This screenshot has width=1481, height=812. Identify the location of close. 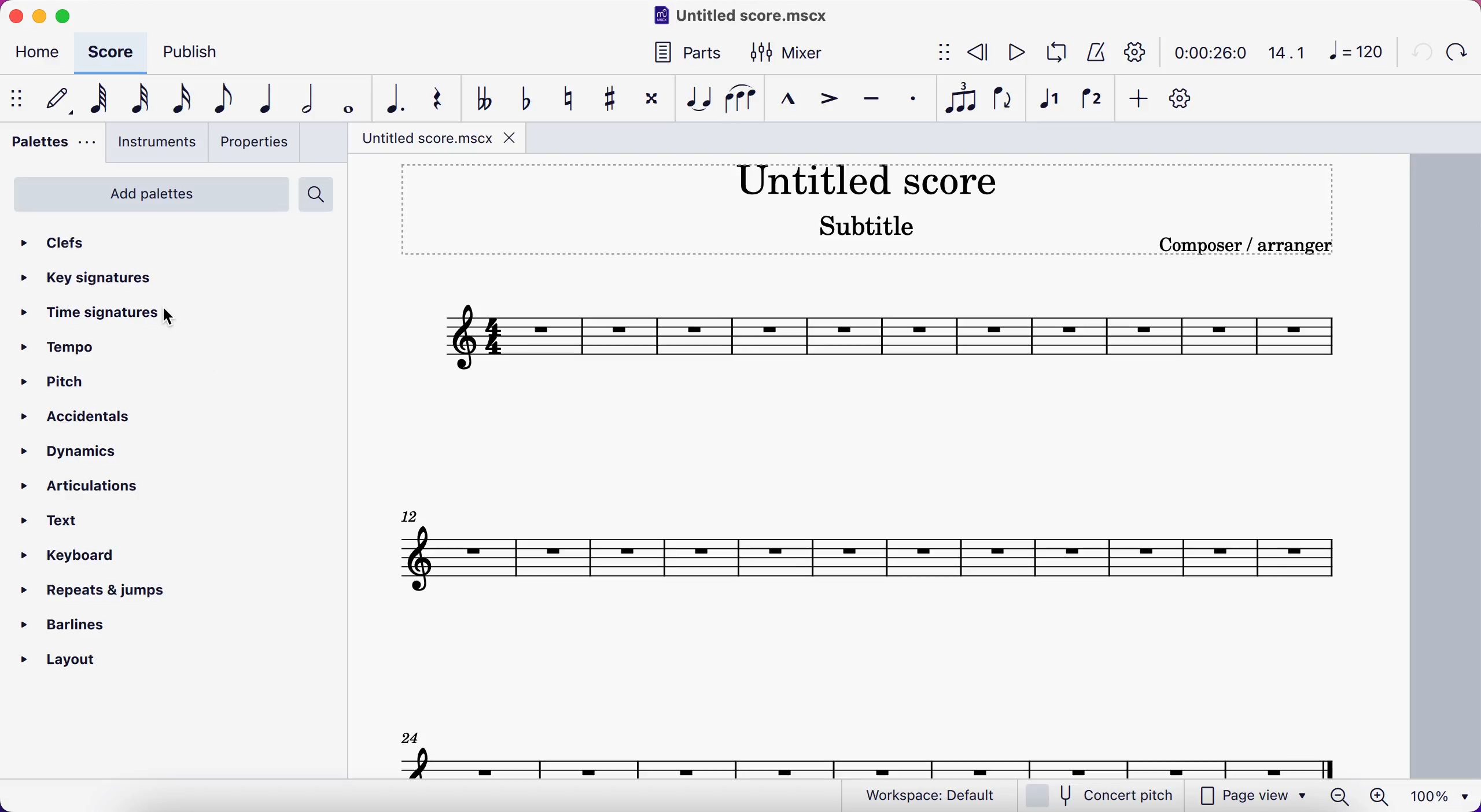
(20, 17).